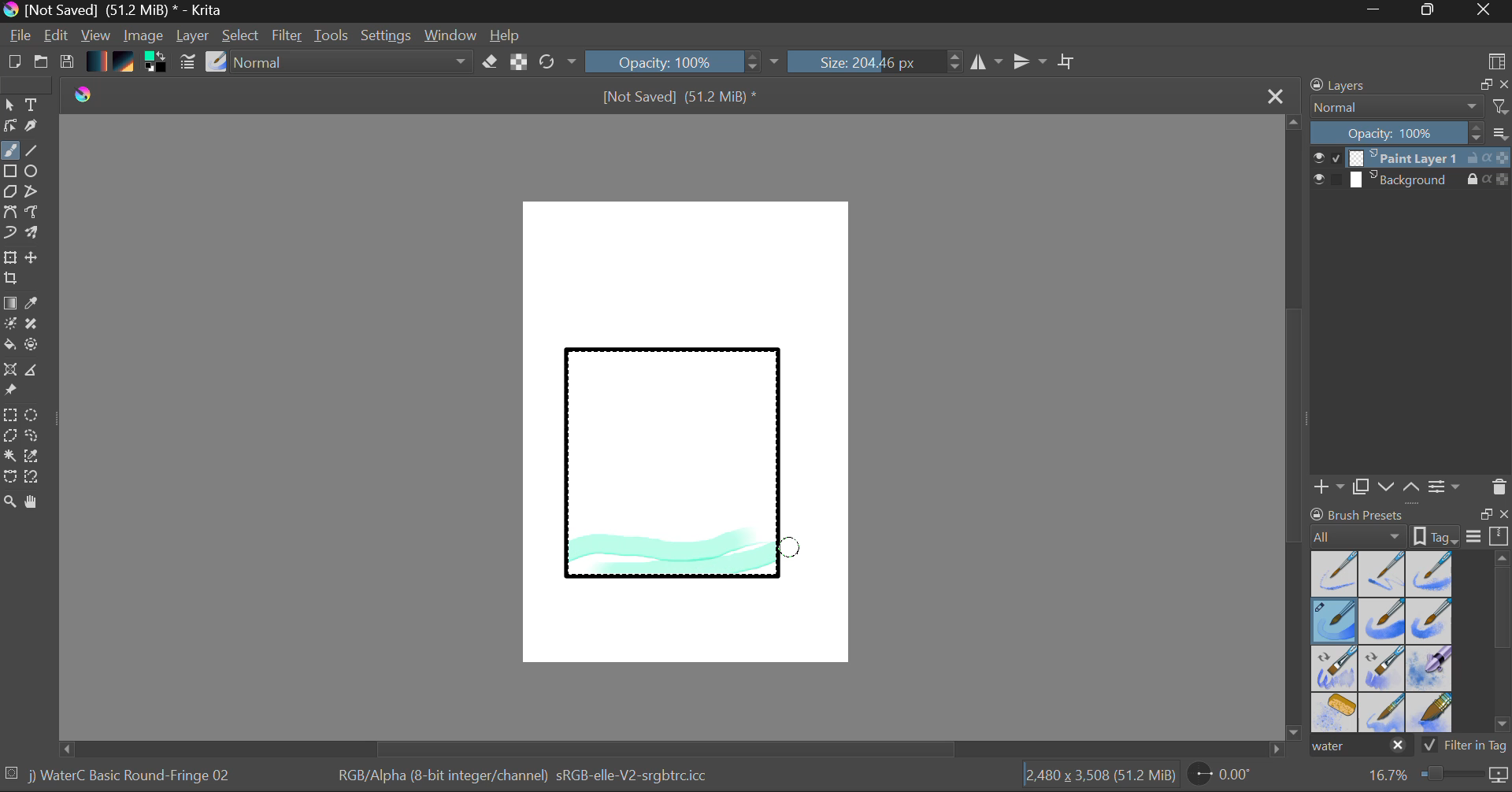 Image resolution: width=1512 pixels, height=792 pixels. Describe the element at coordinates (1503, 645) in the screenshot. I see `Scroll Bar` at that location.